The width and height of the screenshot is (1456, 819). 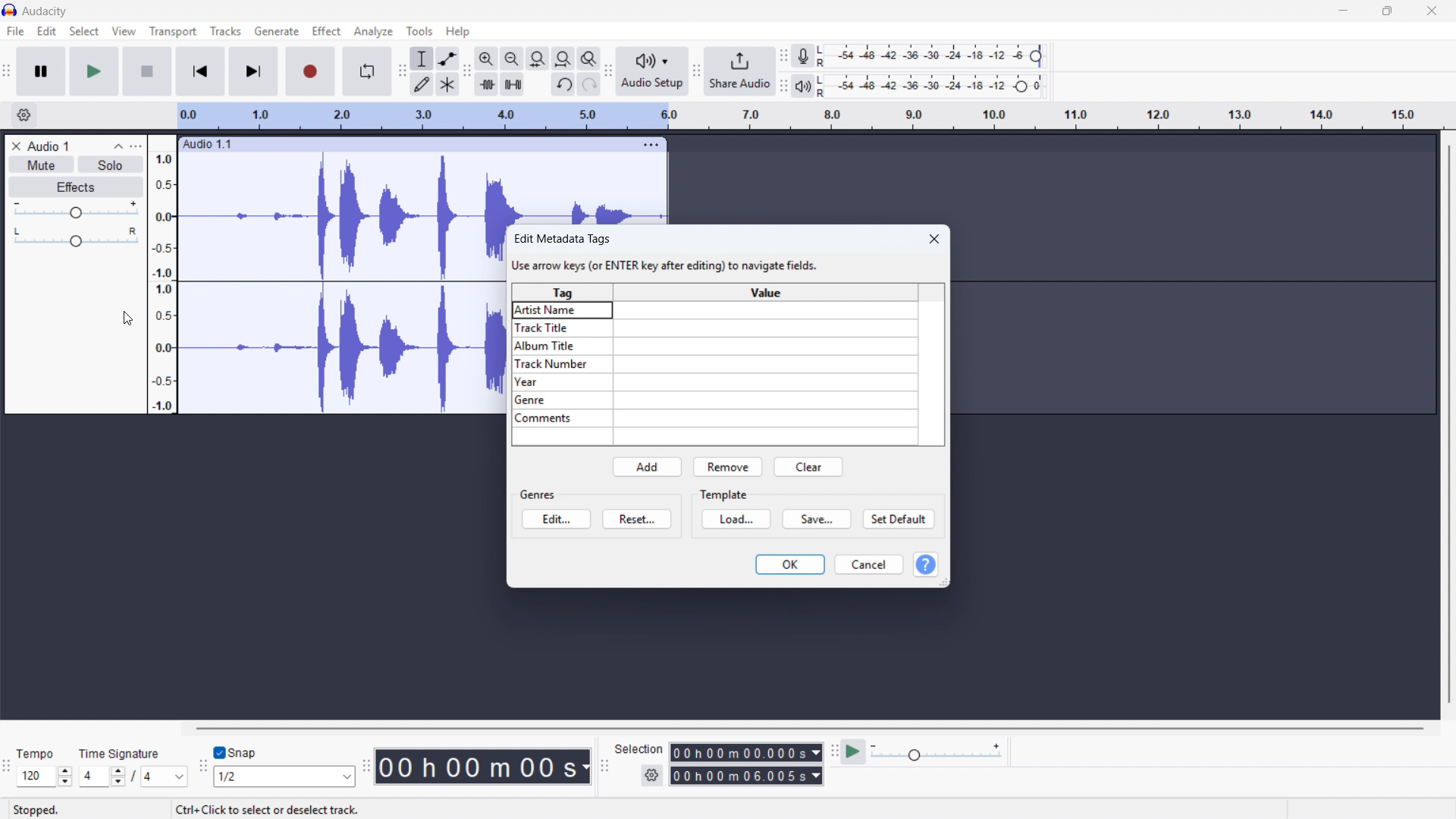 I want to click on tools toolbar, so click(x=401, y=72).